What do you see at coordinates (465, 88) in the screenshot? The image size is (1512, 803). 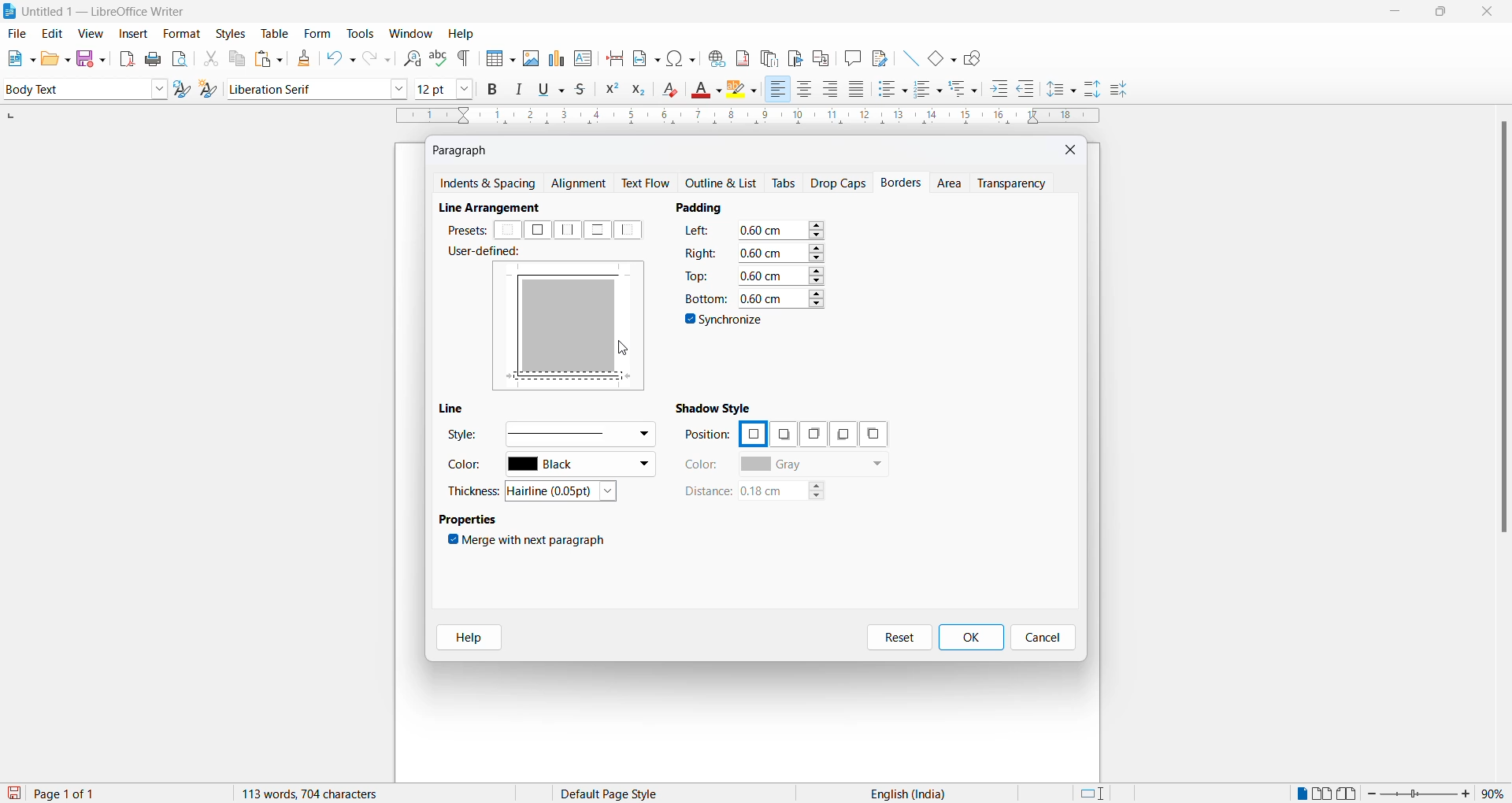 I see `font size options` at bounding box center [465, 88].